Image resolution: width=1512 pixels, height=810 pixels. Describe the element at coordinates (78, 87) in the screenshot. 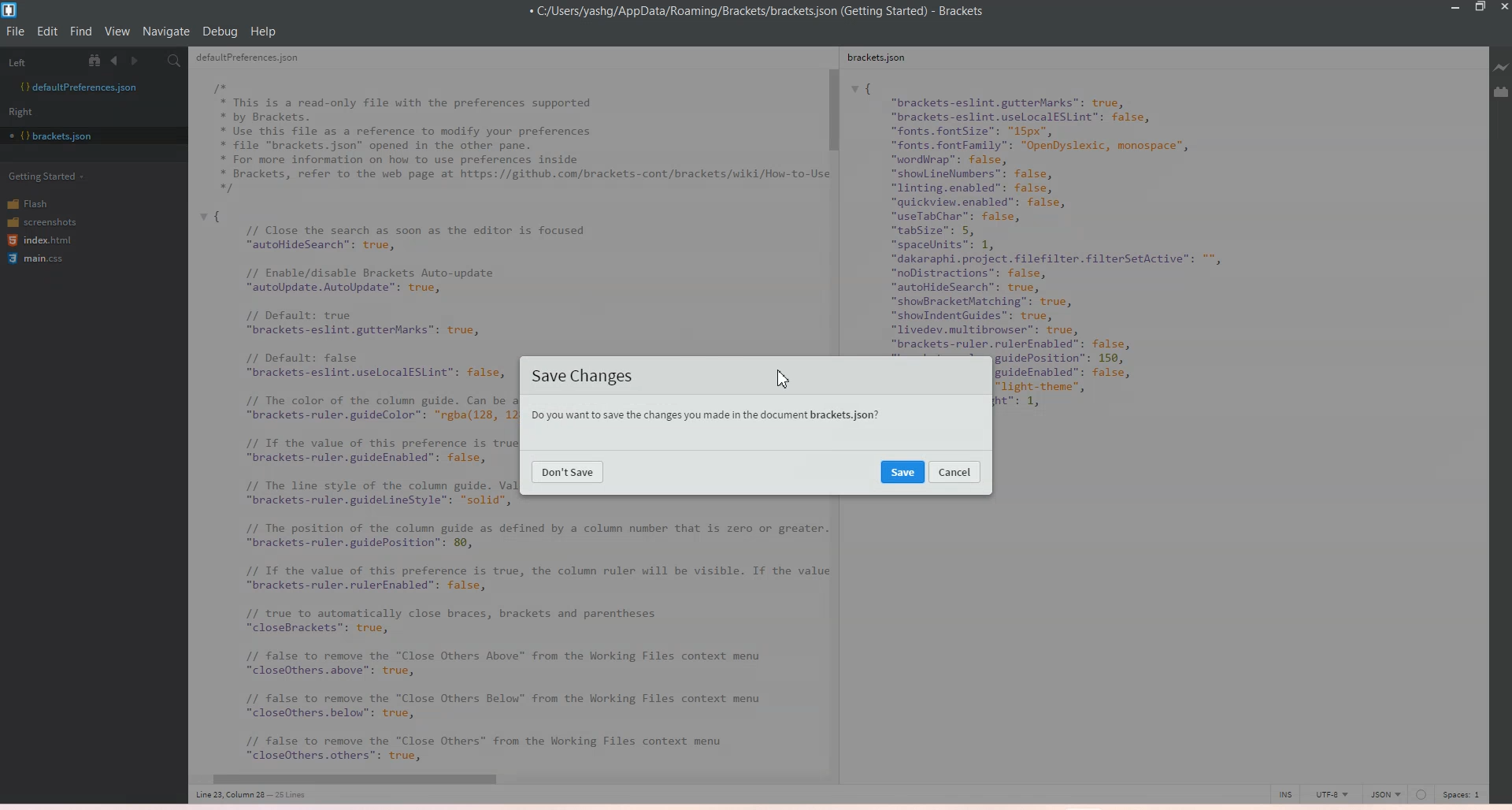

I see `Default Preferences.json` at that location.